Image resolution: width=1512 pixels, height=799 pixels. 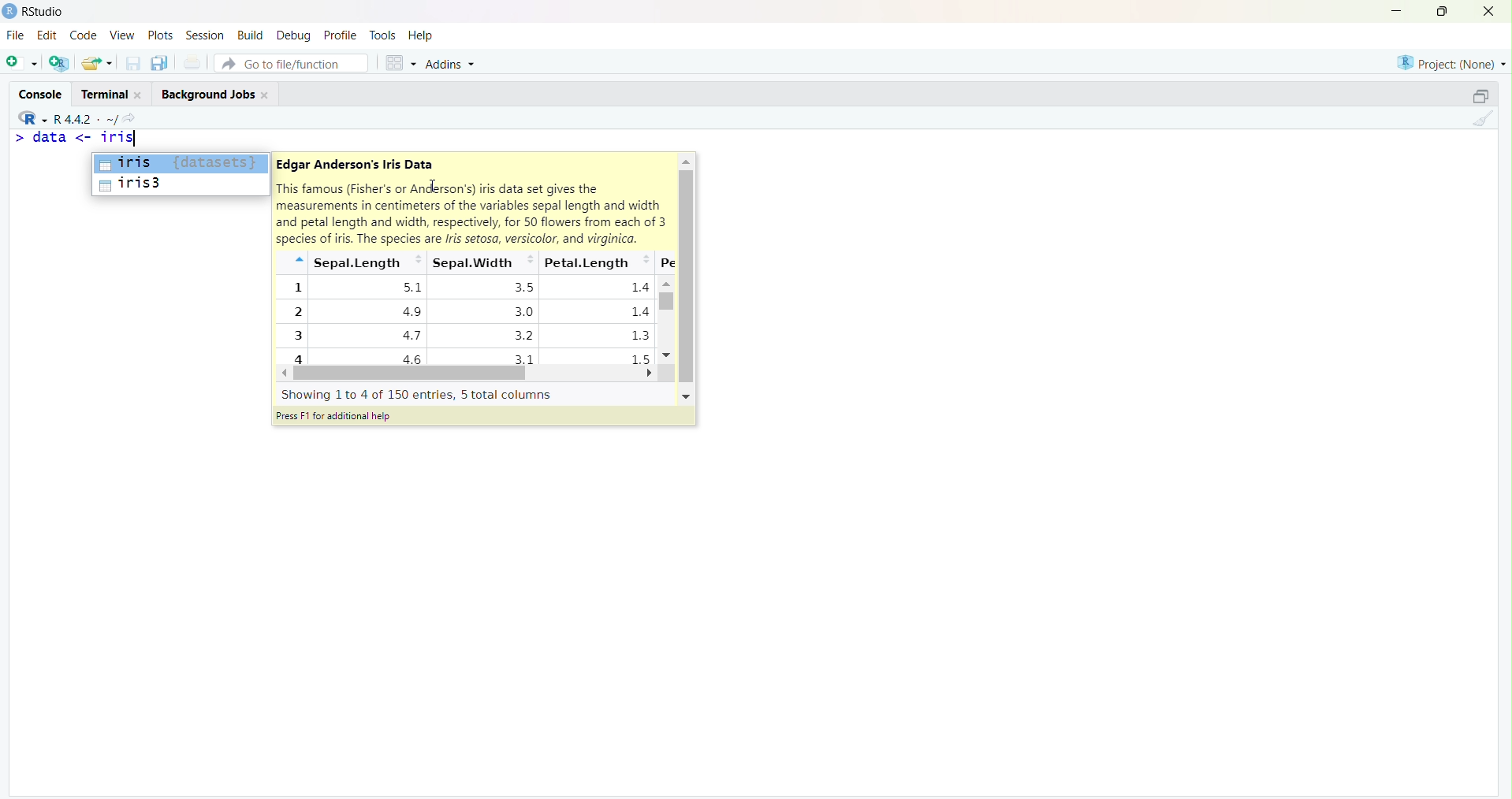 What do you see at coordinates (179, 187) in the screenshot?
I see `iris3` at bounding box center [179, 187].